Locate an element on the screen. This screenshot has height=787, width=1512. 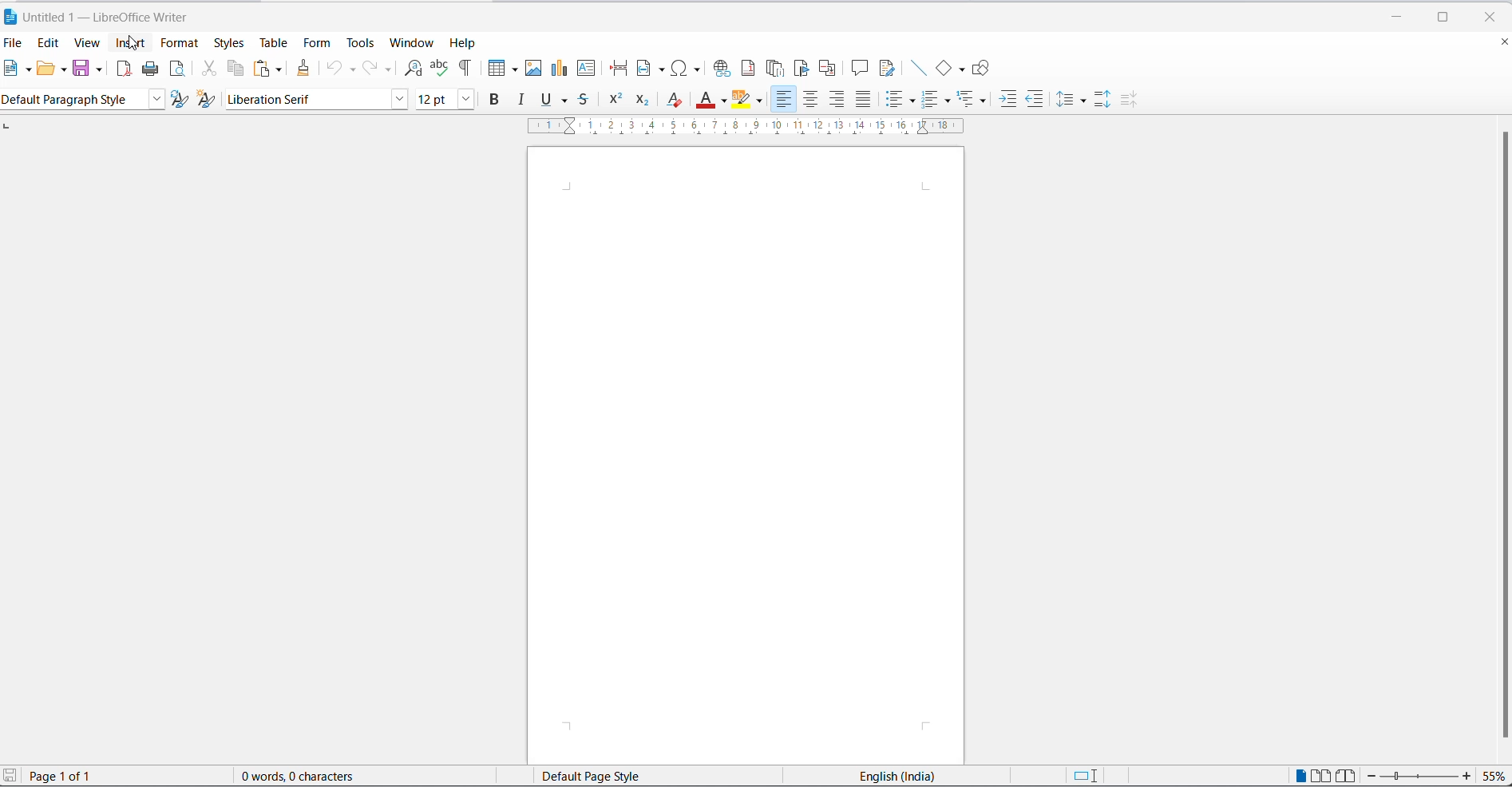
font size  is located at coordinates (433, 100).